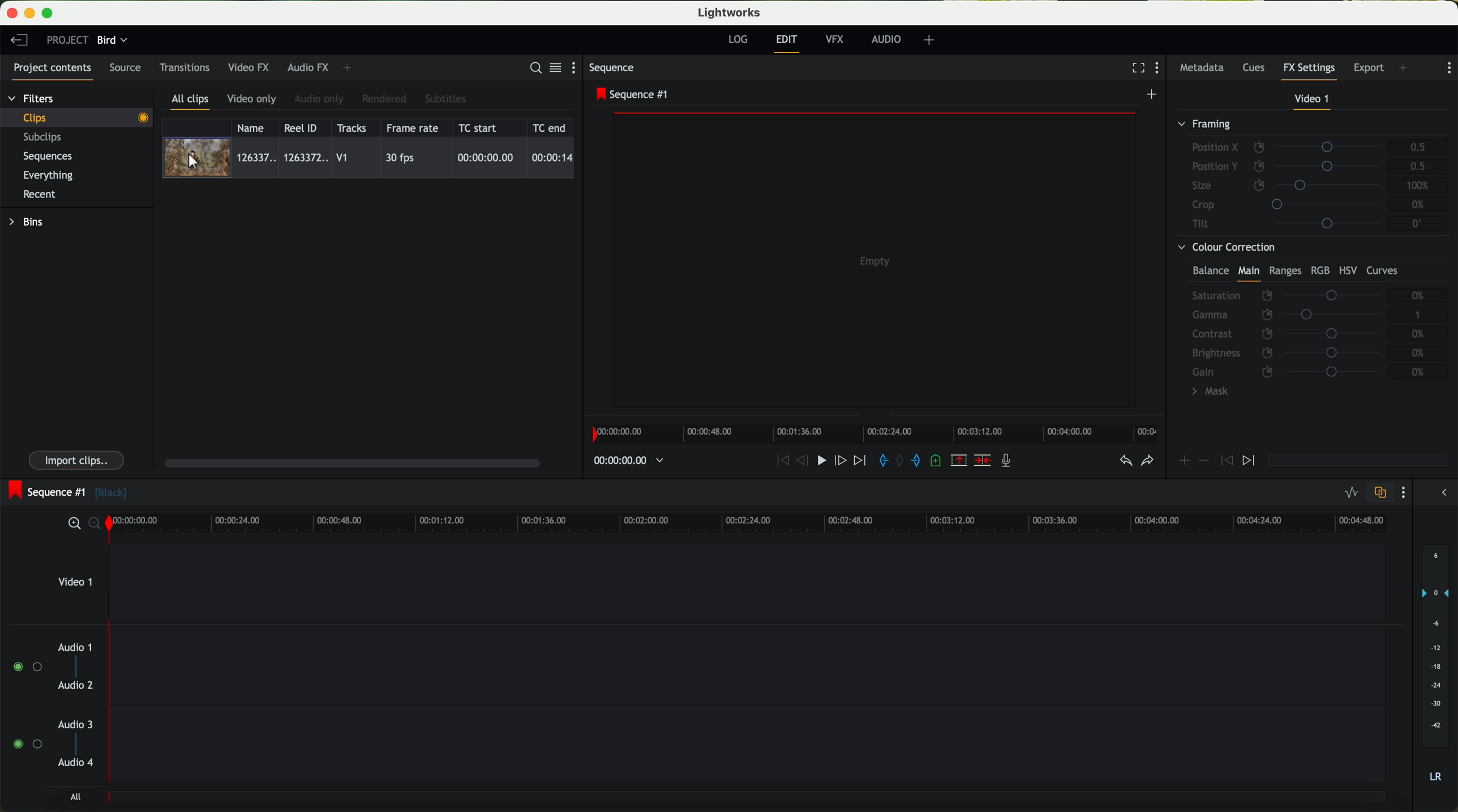 This screenshot has width=1458, height=812. I want to click on 0%, so click(1420, 205).